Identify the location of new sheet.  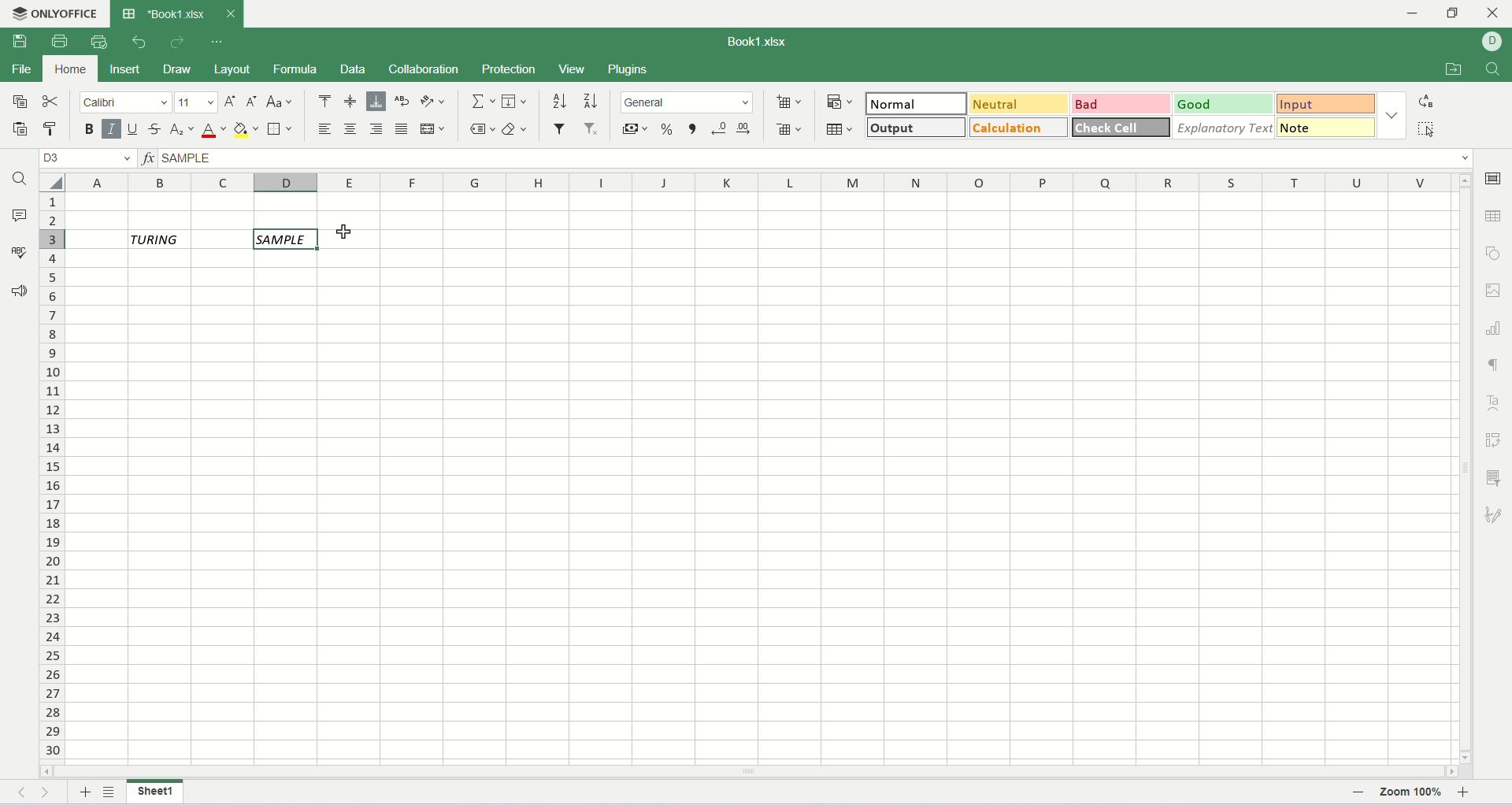
(86, 794).